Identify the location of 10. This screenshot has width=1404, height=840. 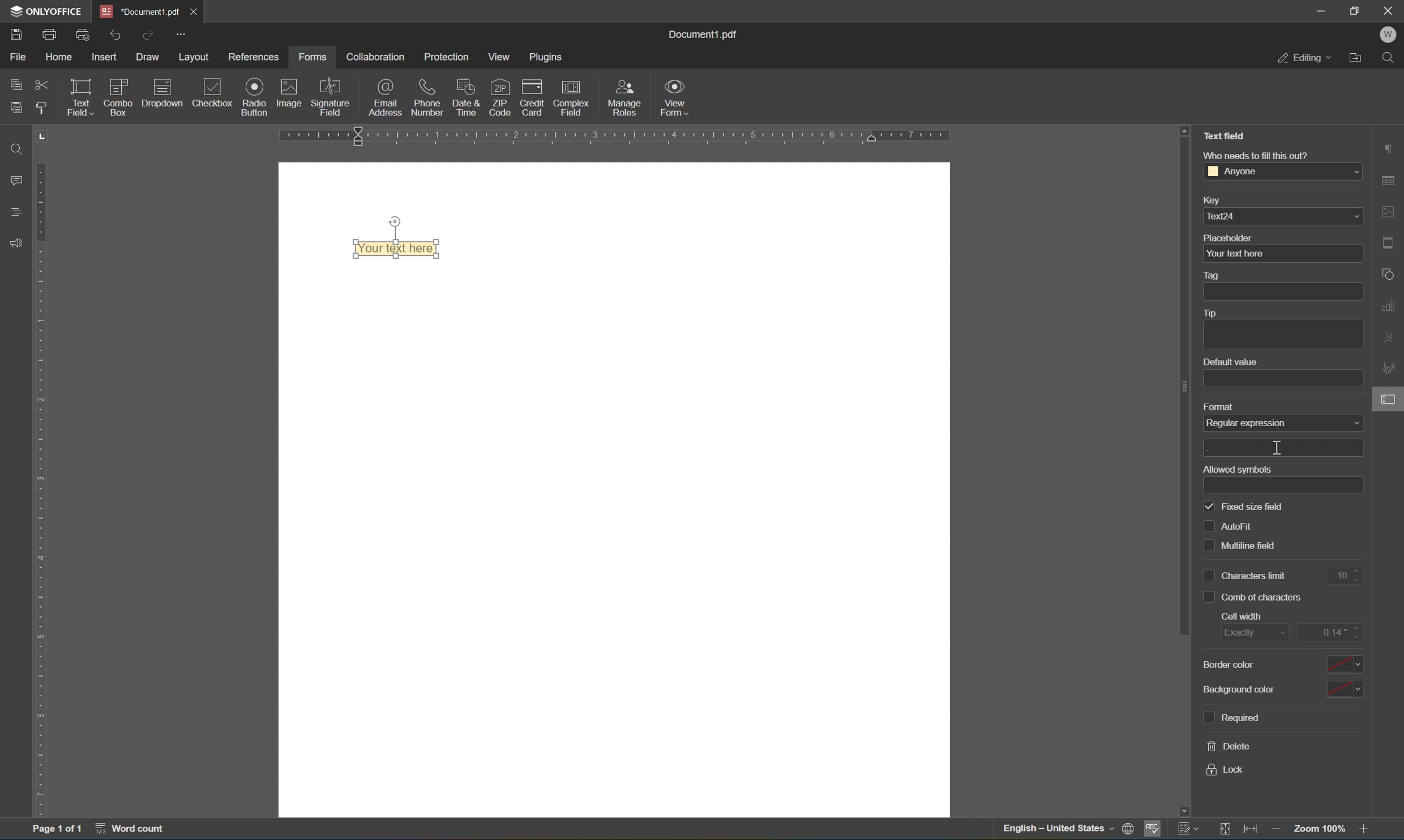
(1348, 576).